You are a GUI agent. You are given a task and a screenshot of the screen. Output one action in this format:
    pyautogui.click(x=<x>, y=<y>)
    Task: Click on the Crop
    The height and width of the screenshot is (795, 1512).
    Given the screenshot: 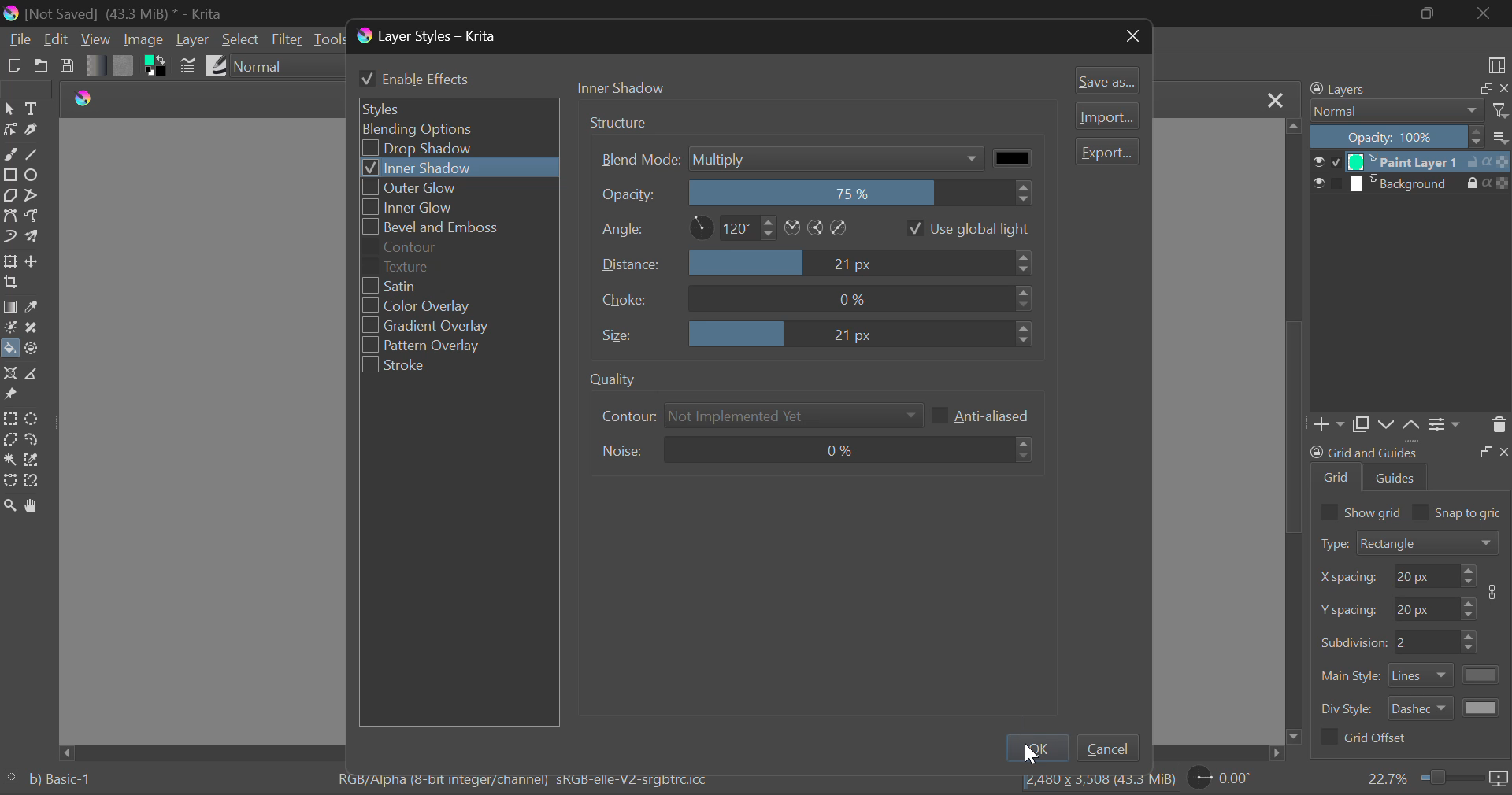 What is the action you would take?
    pyautogui.click(x=9, y=283)
    